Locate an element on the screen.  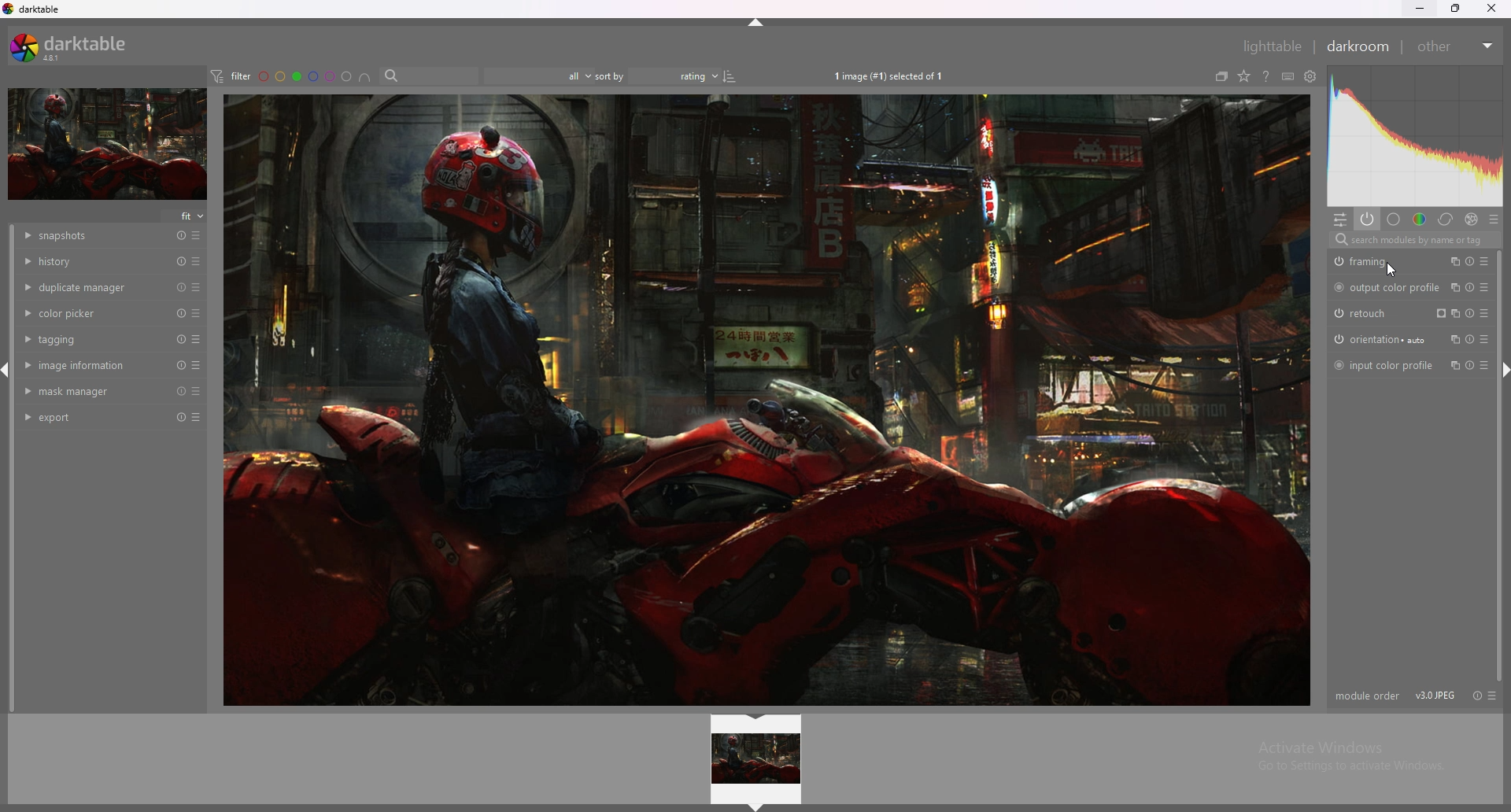
target image is located at coordinates (766, 400).